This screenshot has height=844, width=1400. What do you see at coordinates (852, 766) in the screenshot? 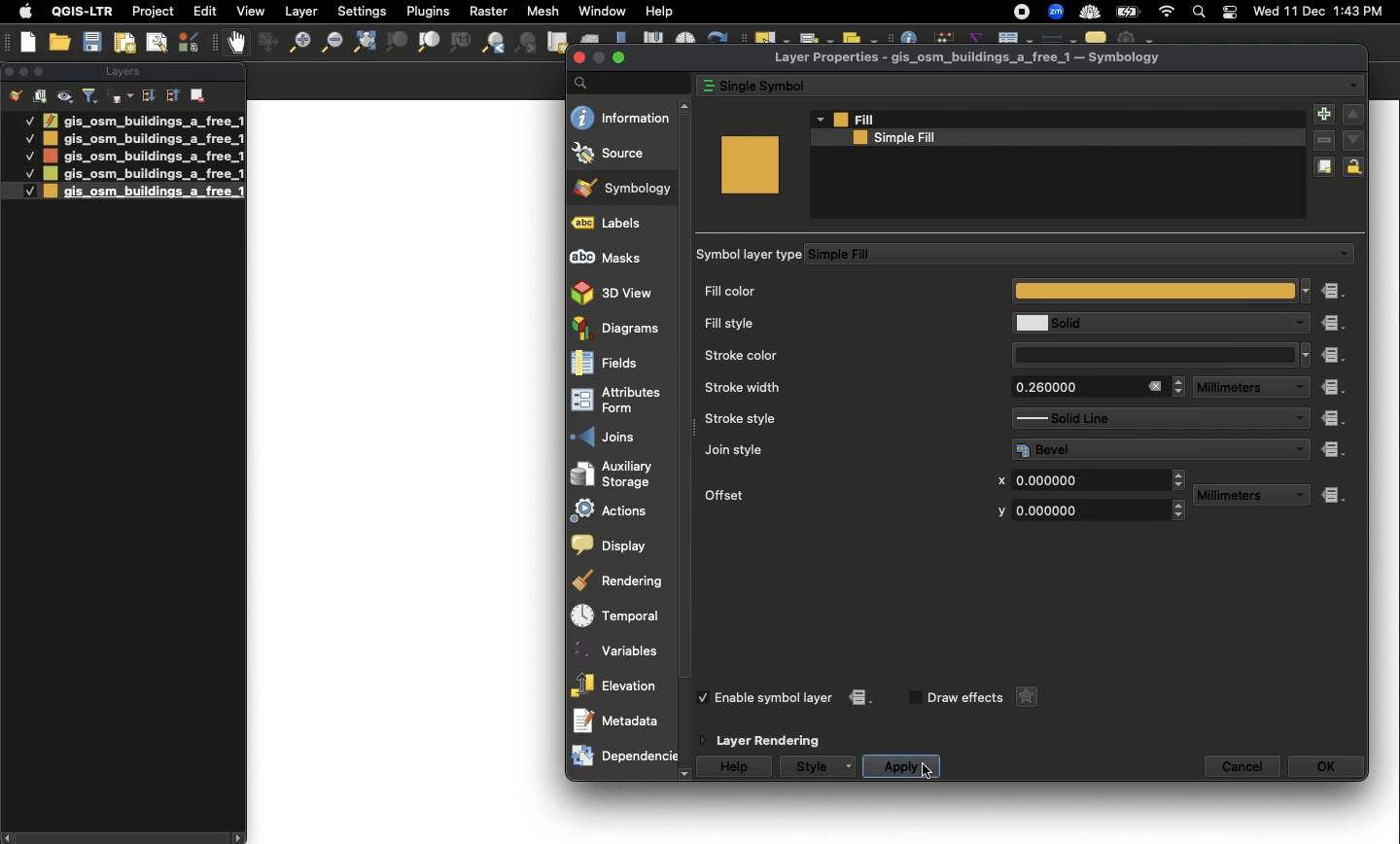
I see `Drop down` at bounding box center [852, 766].